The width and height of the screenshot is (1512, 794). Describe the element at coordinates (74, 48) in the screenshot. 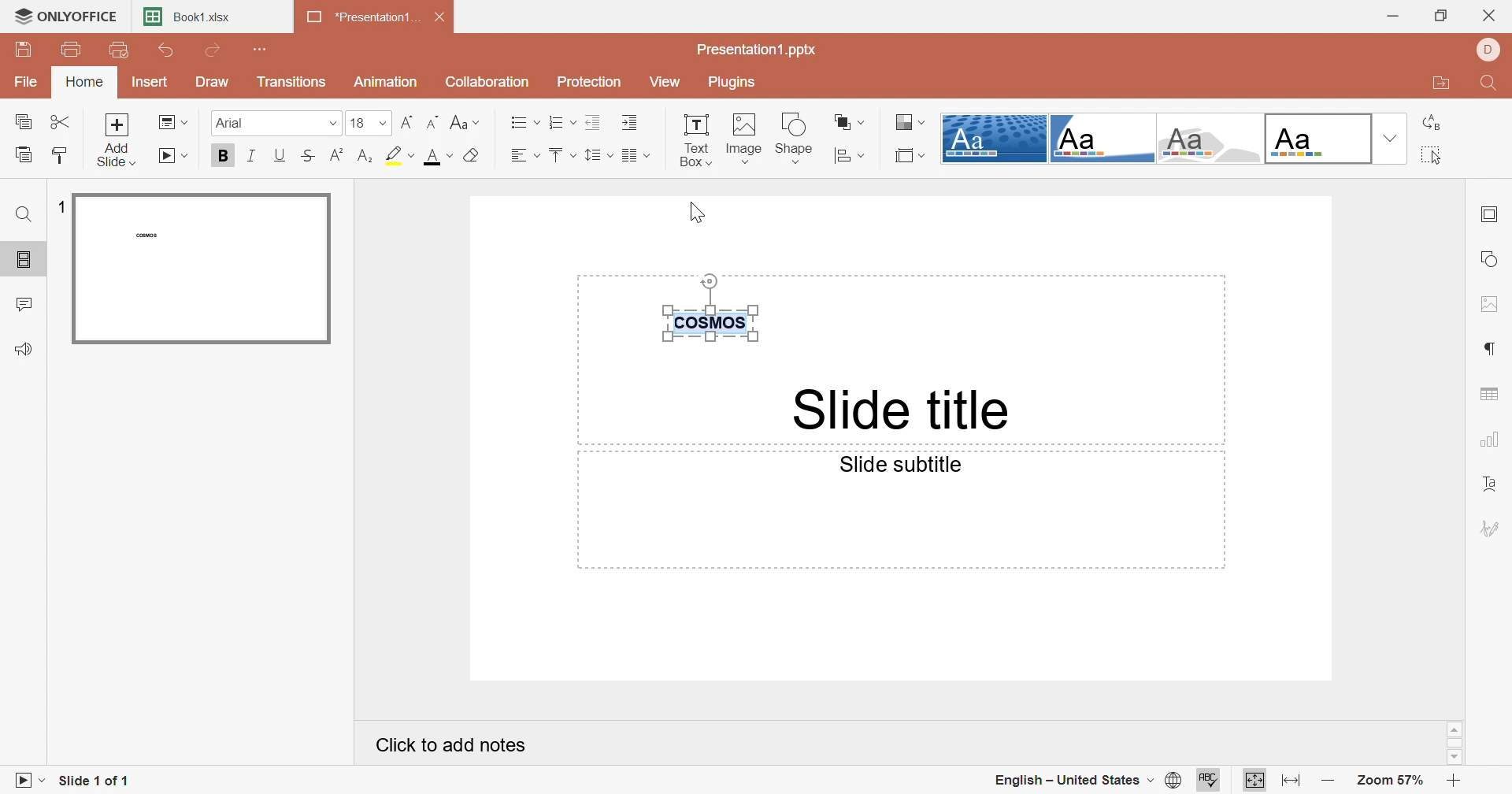

I see `Print file` at that location.